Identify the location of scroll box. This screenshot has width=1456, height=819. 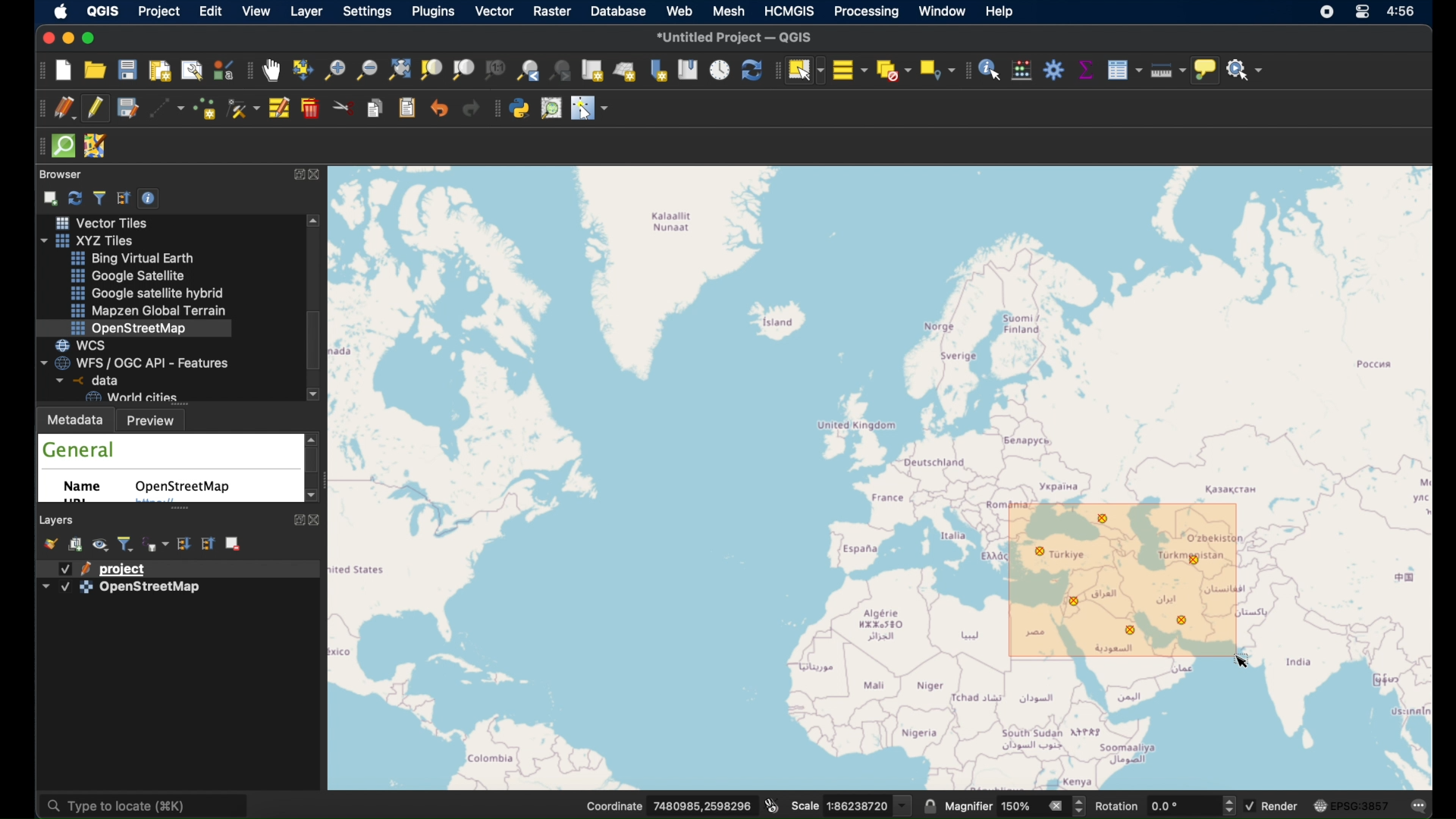
(313, 463).